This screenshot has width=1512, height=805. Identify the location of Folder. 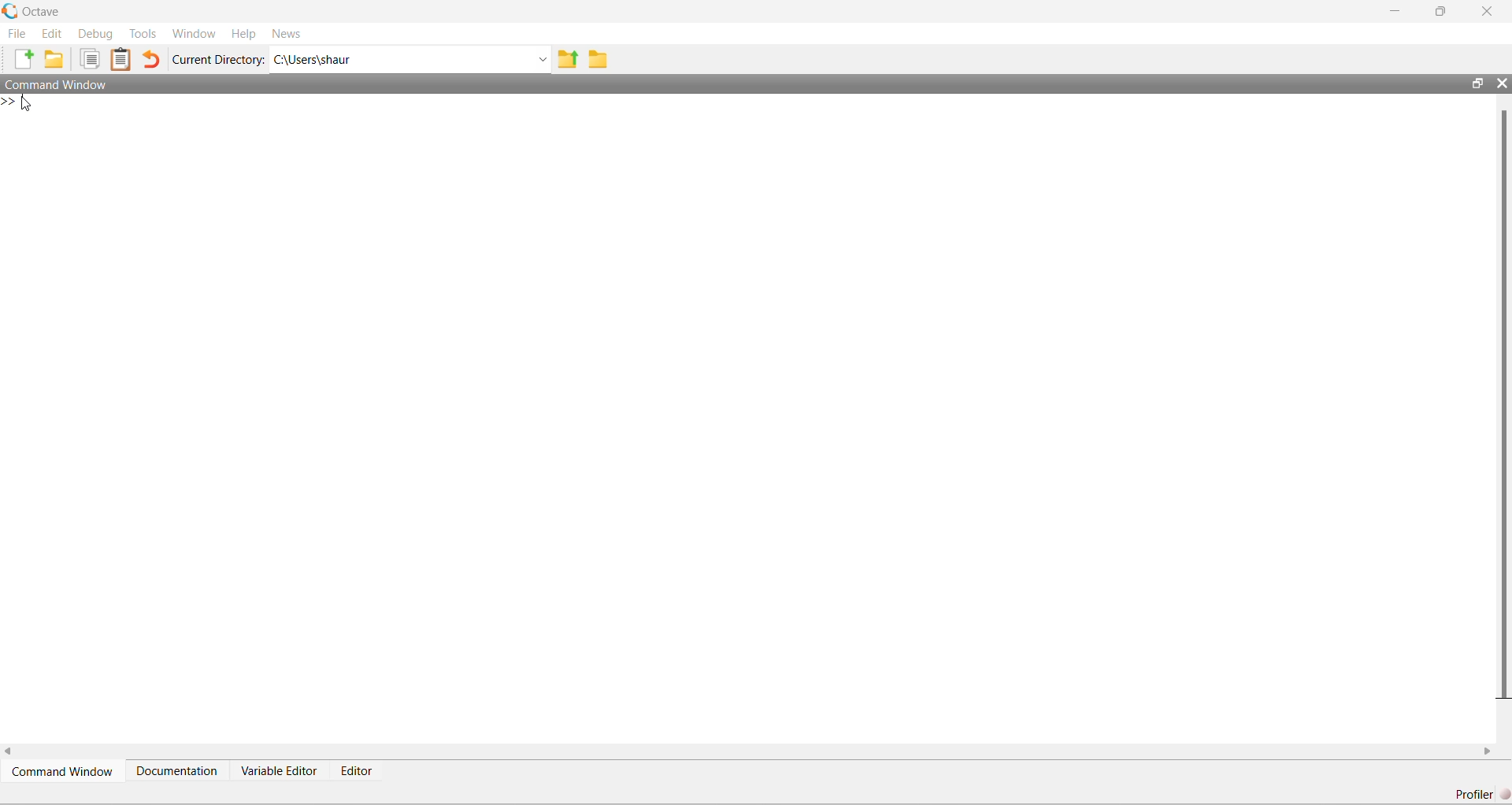
(598, 59).